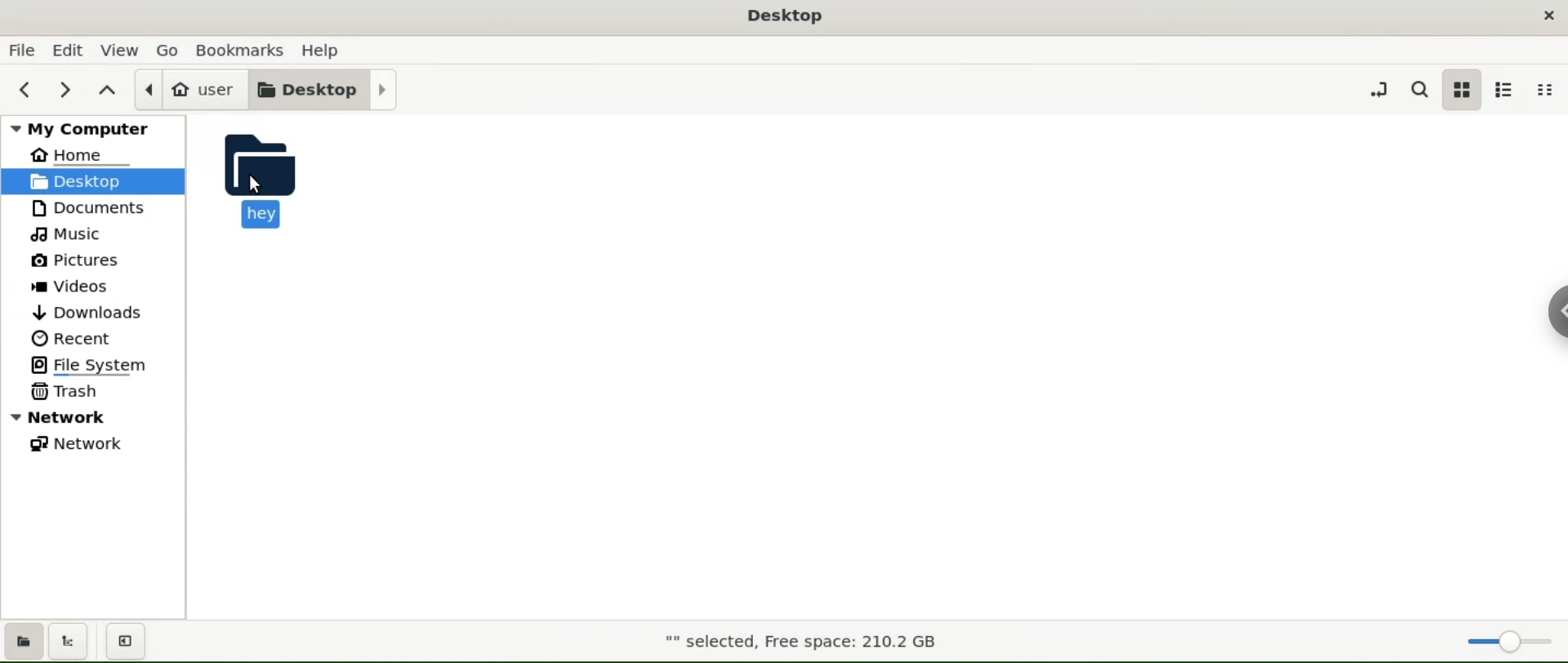  Describe the element at coordinates (277, 178) in the screenshot. I see `hey folder` at that location.